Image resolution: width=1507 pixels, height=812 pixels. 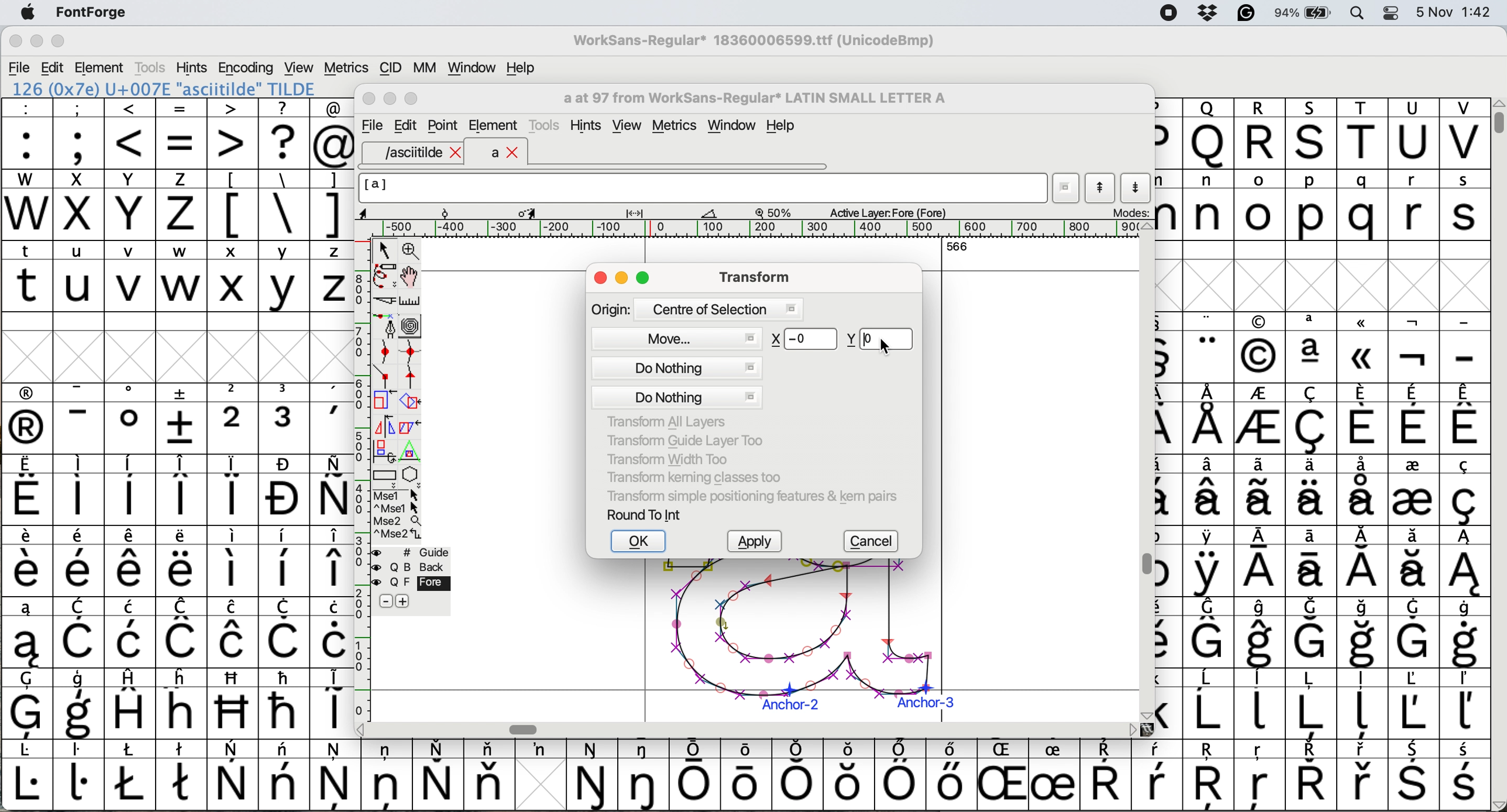 I want to click on symbol, so click(x=1262, y=490).